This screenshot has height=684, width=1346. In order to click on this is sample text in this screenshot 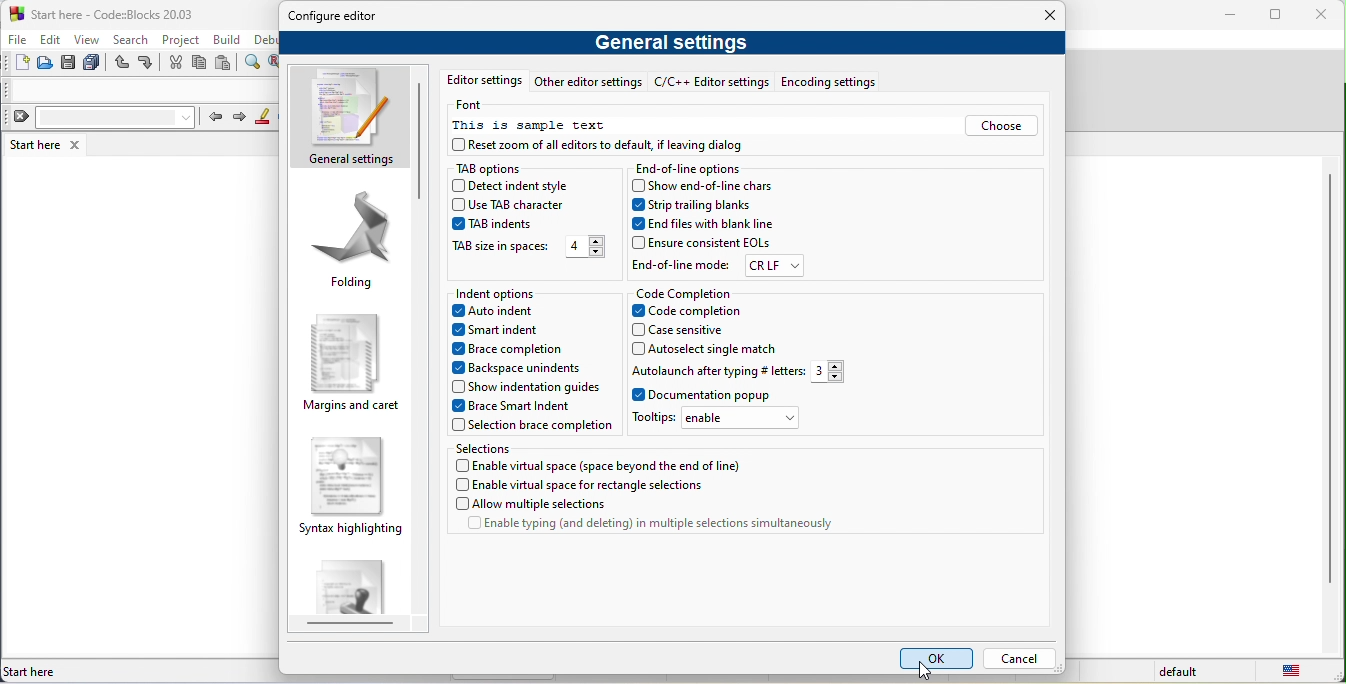, I will do `click(543, 126)`.